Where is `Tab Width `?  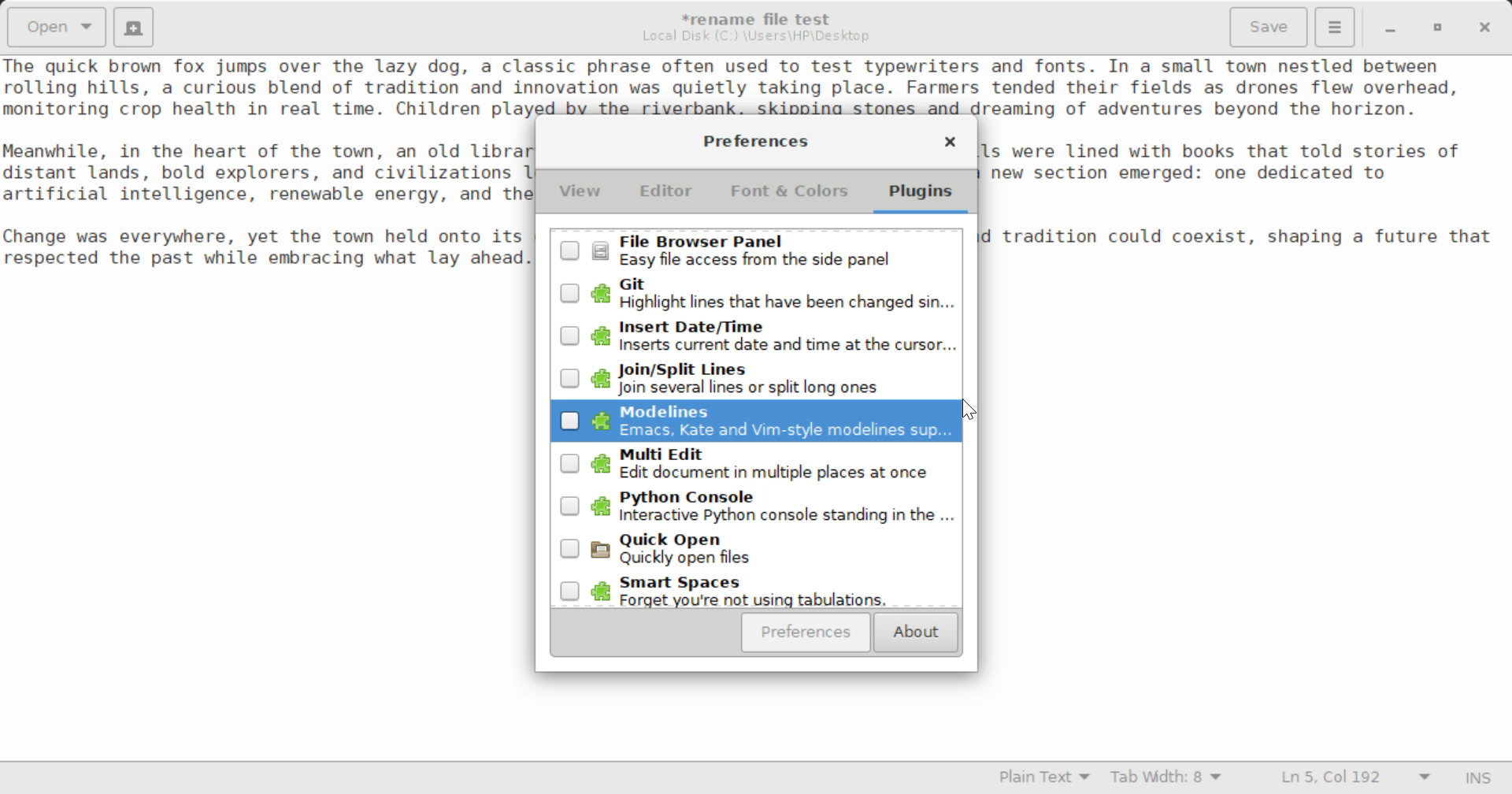
Tab Width  is located at coordinates (1169, 779).